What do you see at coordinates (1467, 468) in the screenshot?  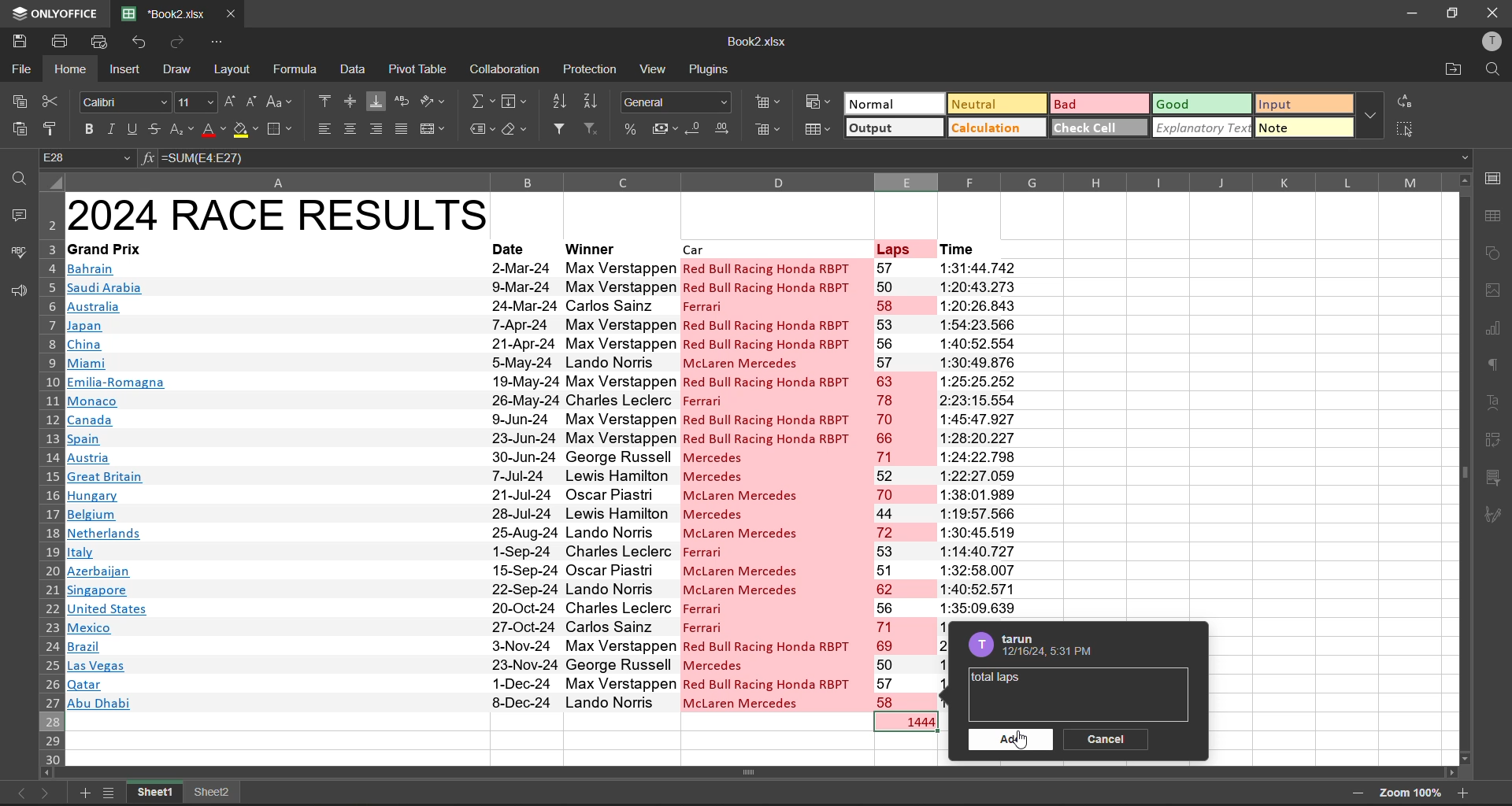 I see `scroll bar` at bounding box center [1467, 468].